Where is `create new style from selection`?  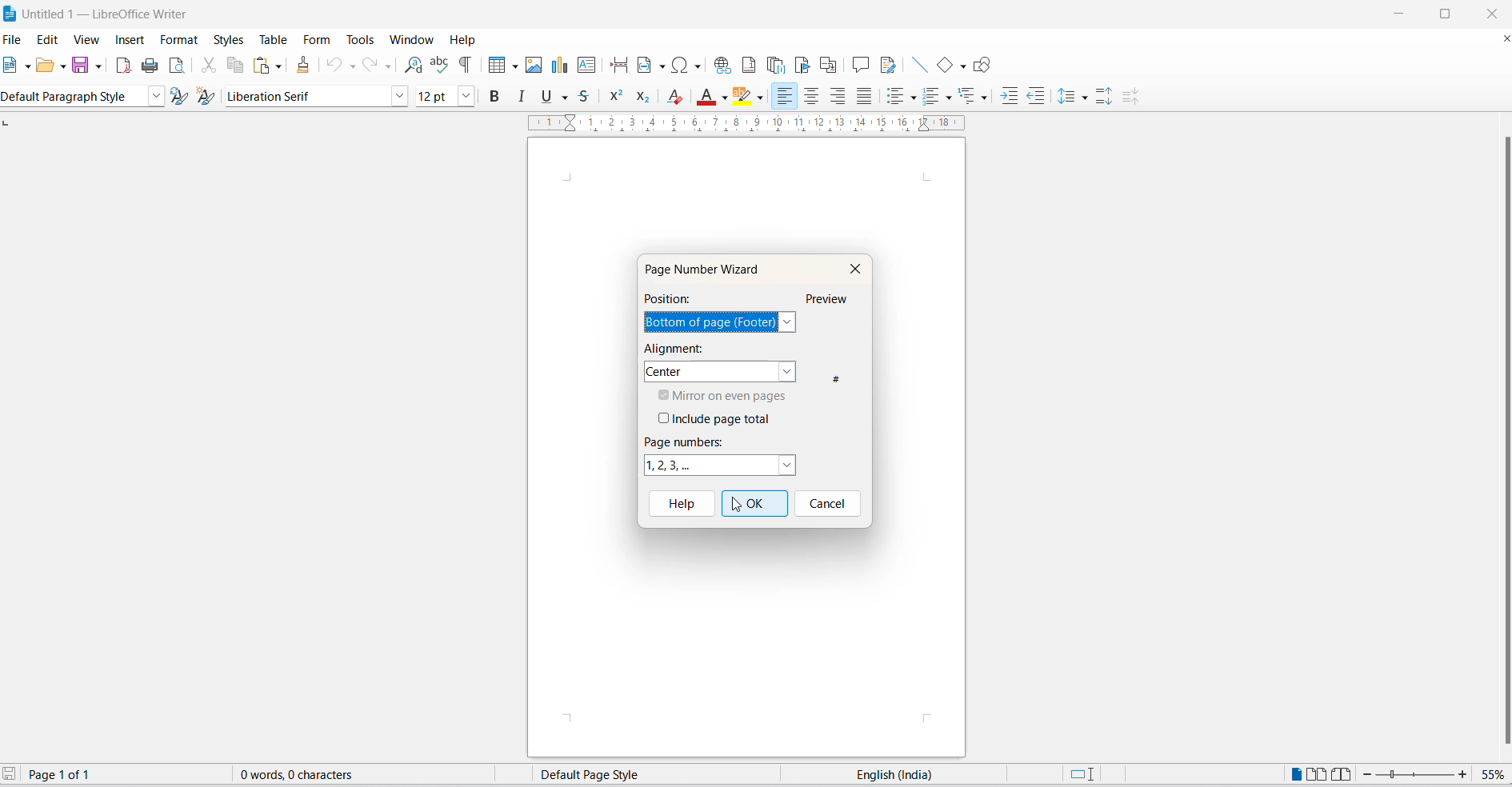 create new style from selection is located at coordinates (210, 97).